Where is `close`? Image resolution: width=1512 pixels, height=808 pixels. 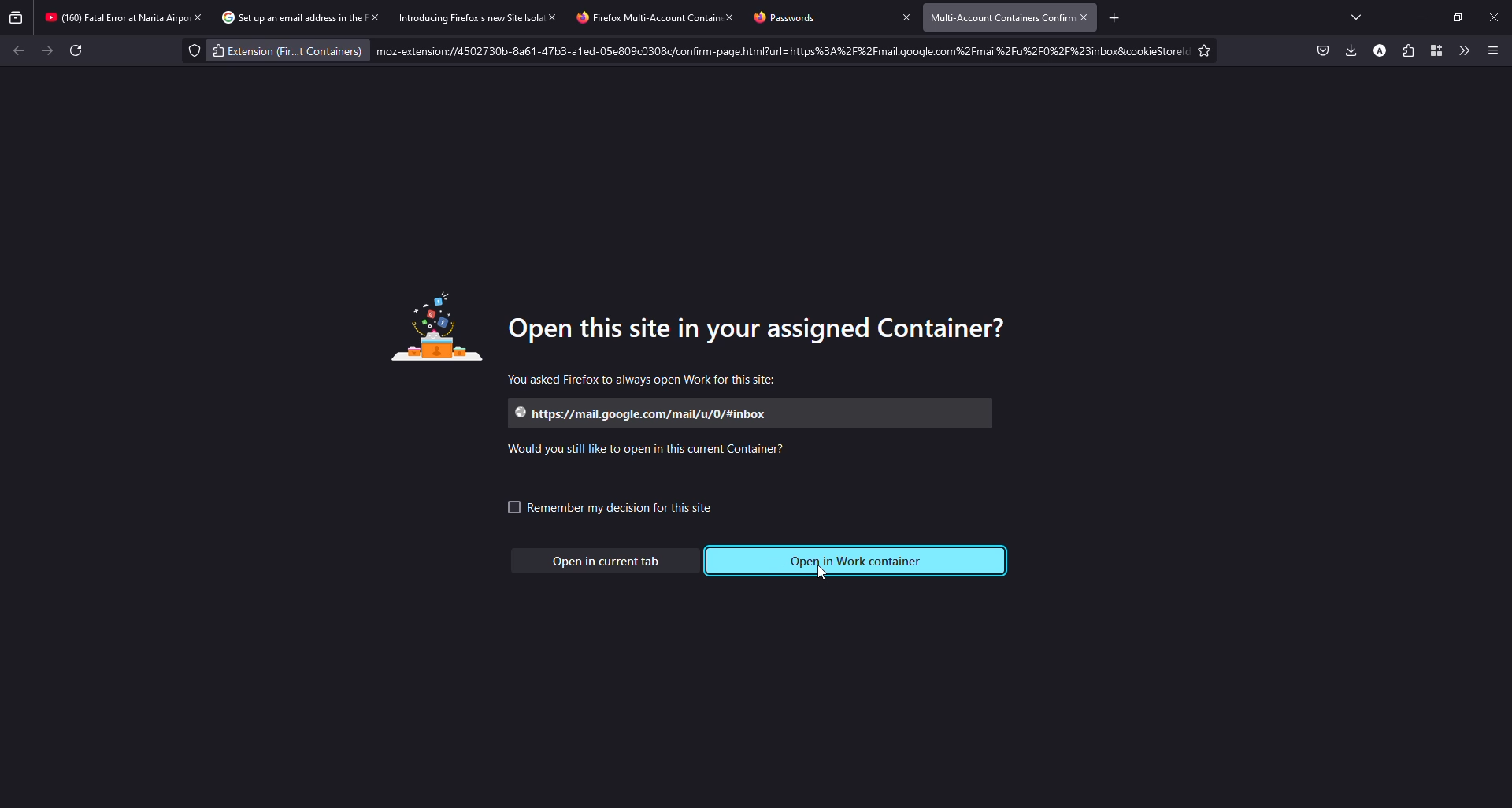 close is located at coordinates (376, 17).